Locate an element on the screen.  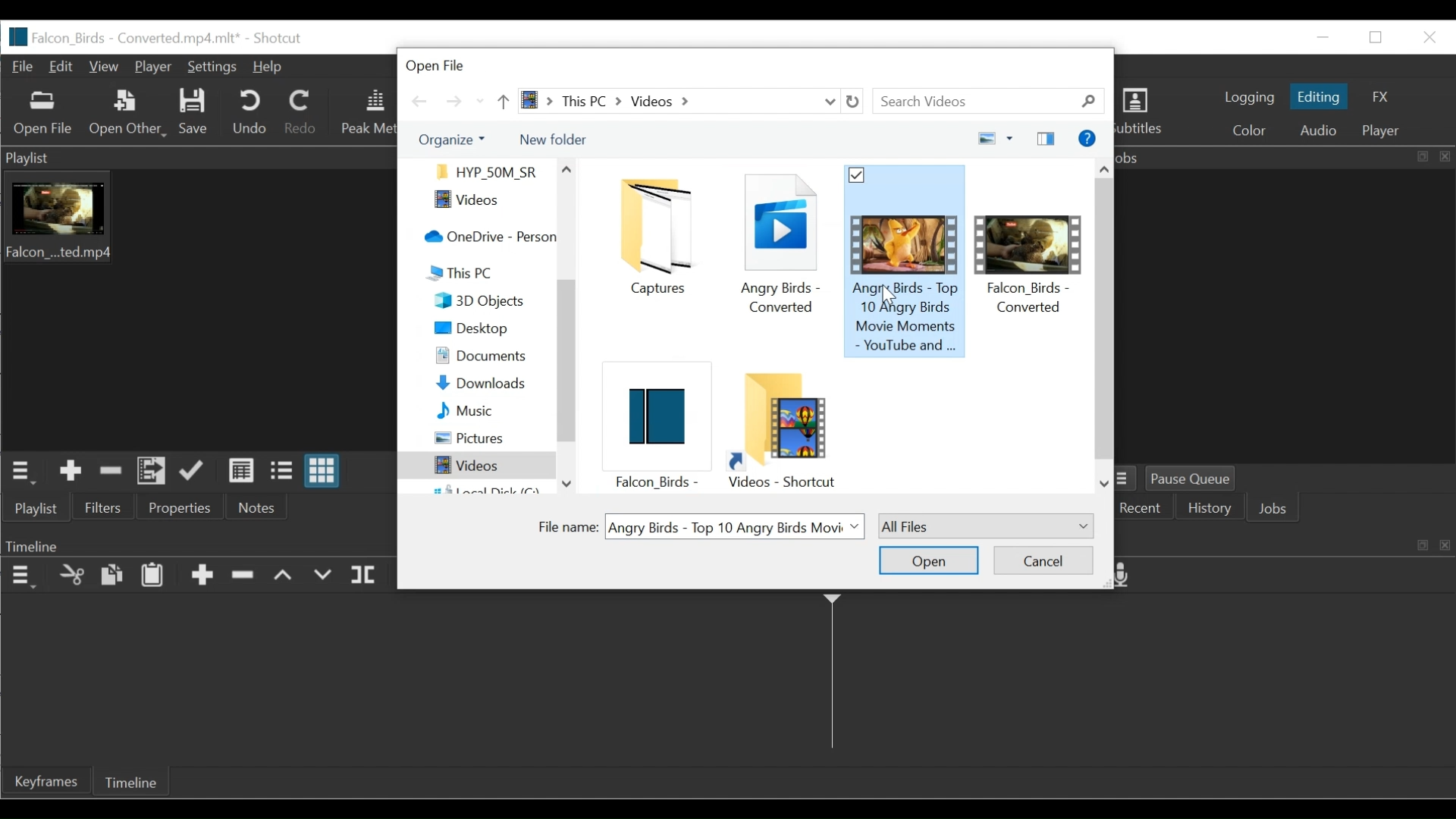
Add the files to the playlist is located at coordinates (151, 473).